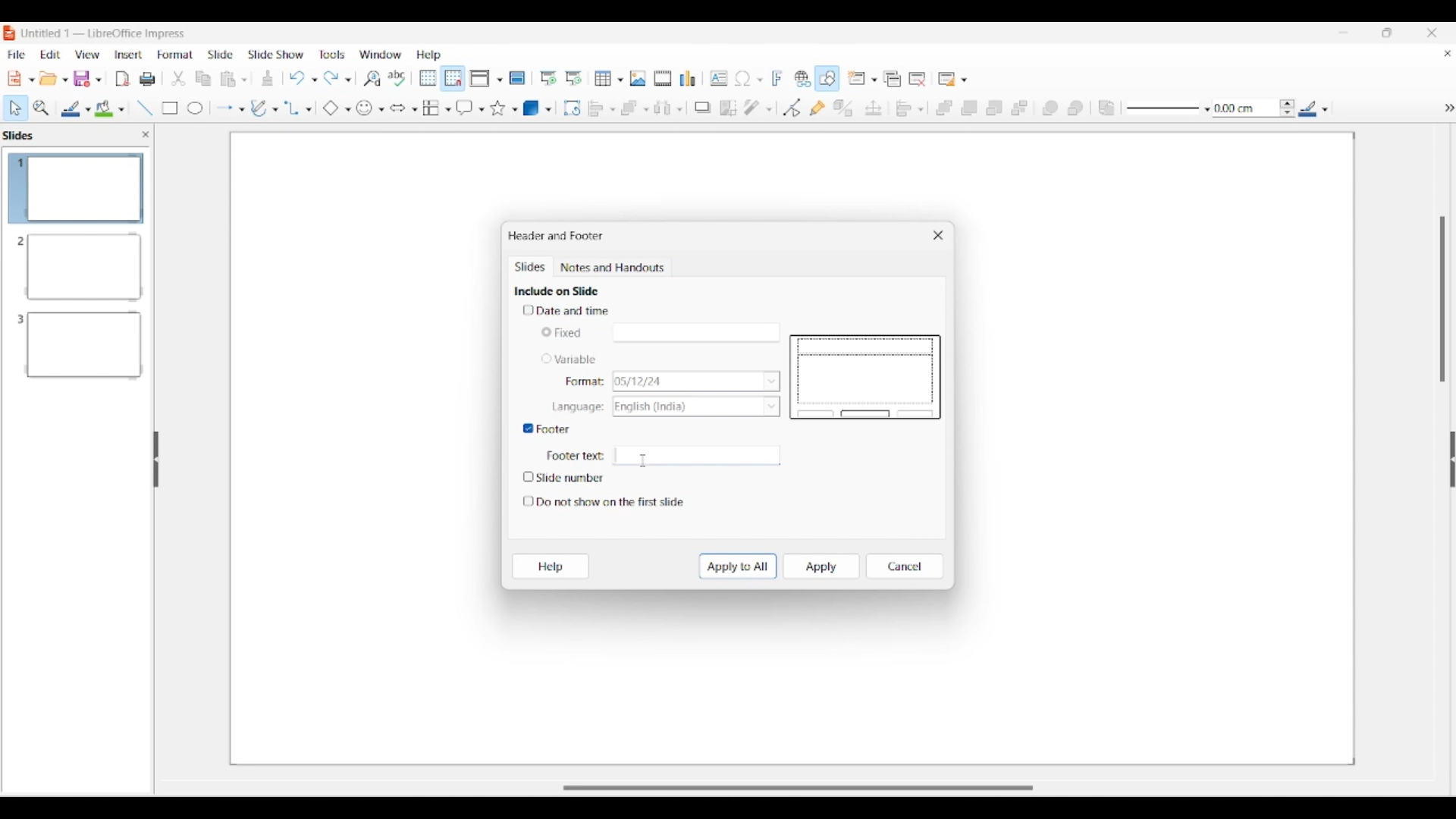  I want to click on Find and replace, so click(372, 78).